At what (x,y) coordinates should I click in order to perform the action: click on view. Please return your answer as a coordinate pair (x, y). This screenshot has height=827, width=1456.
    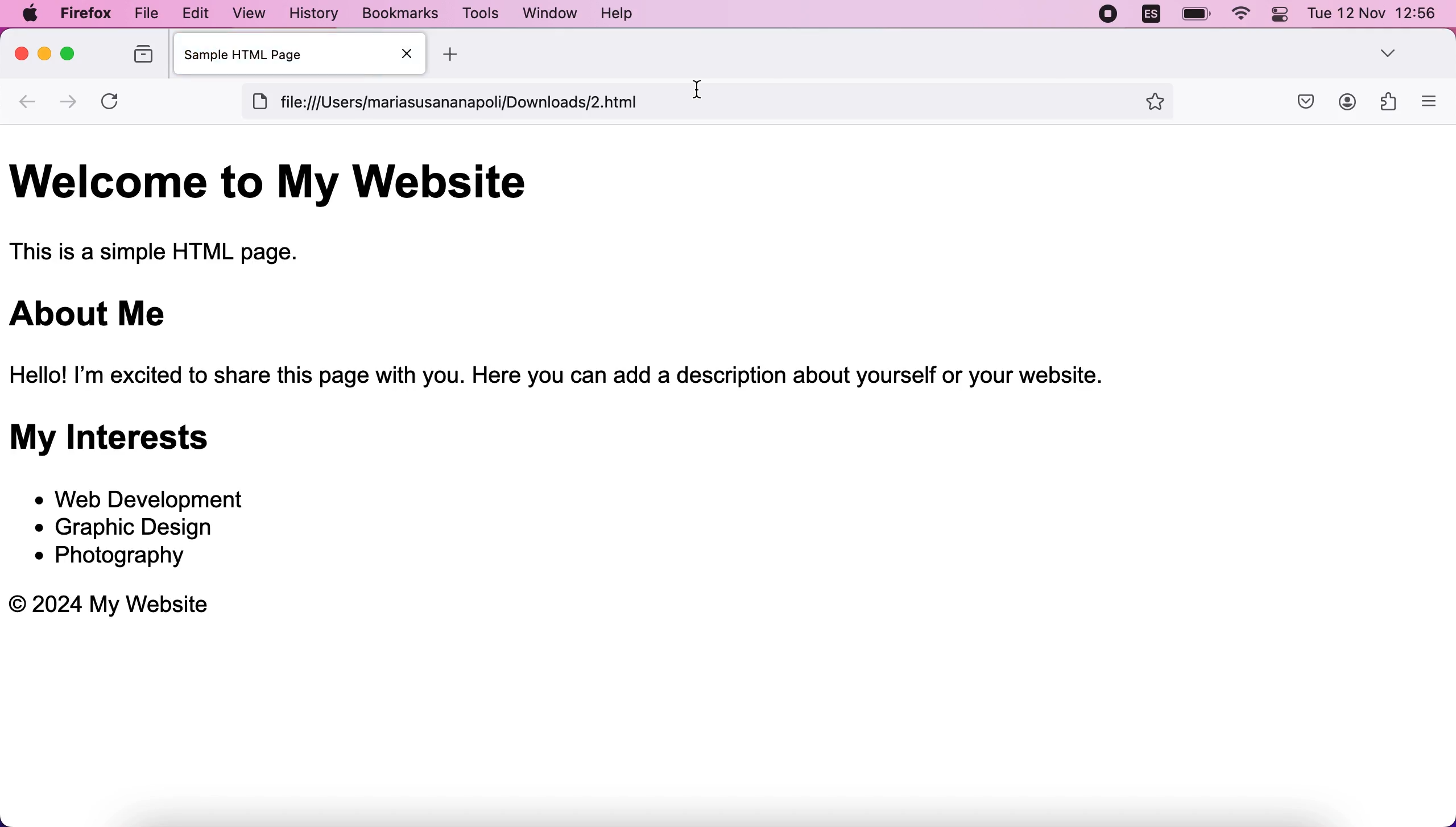
    Looking at the image, I should click on (245, 13).